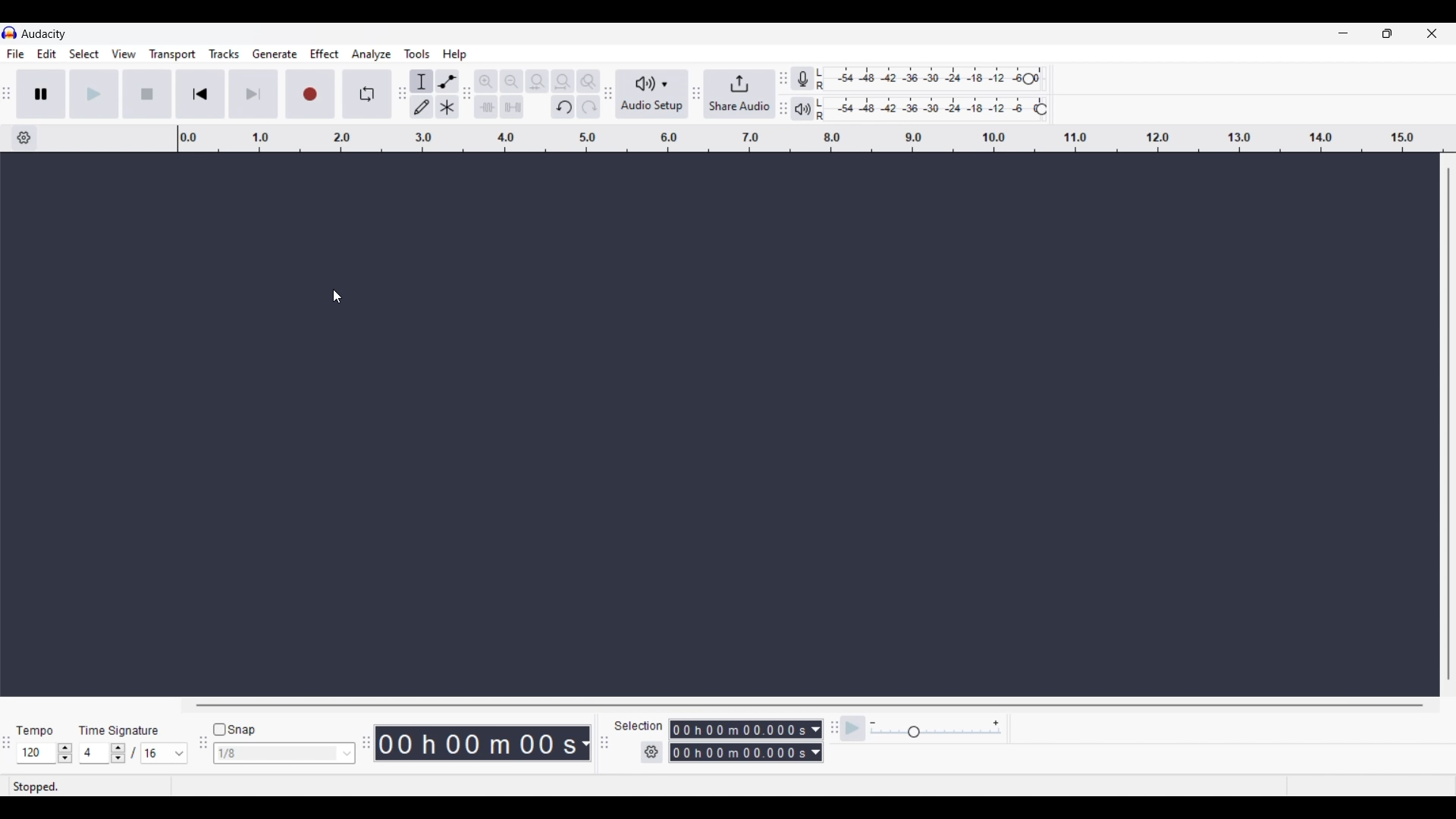 This screenshot has height=819, width=1456. Describe the element at coordinates (311, 93) in the screenshot. I see `Record/Record new track` at that location.